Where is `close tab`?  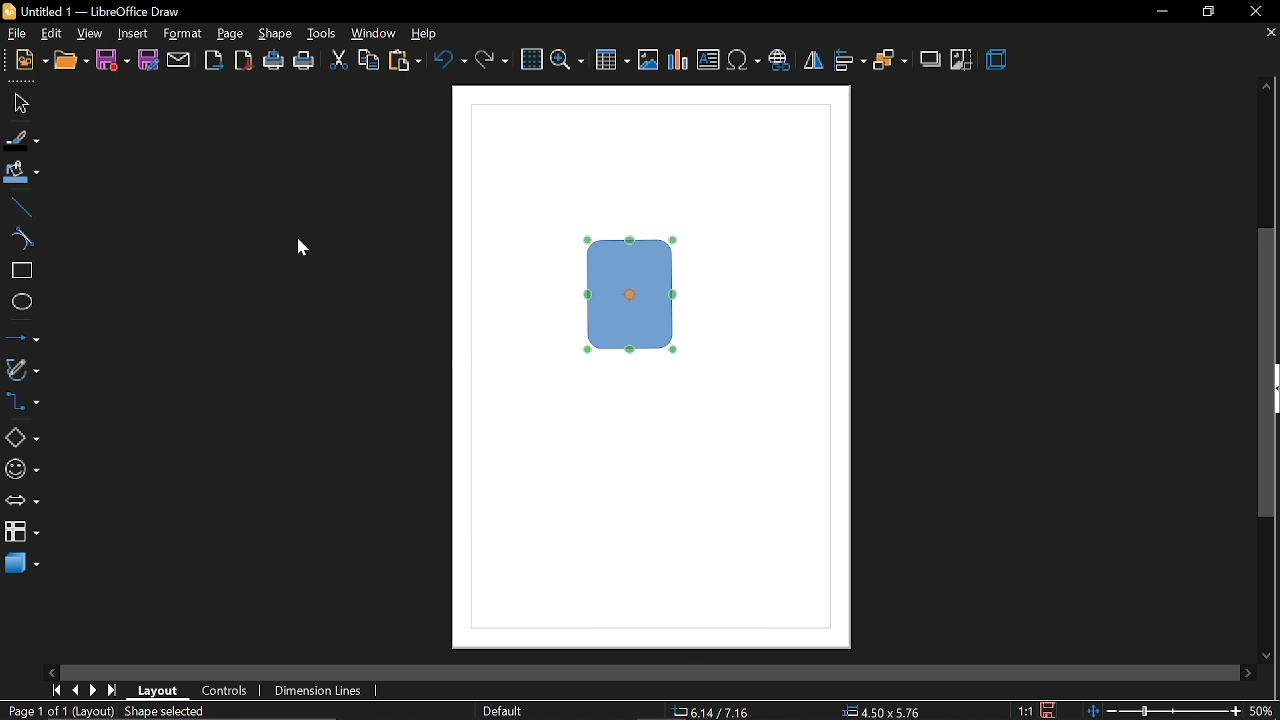 close tab is located at coordinates (1269, 34).